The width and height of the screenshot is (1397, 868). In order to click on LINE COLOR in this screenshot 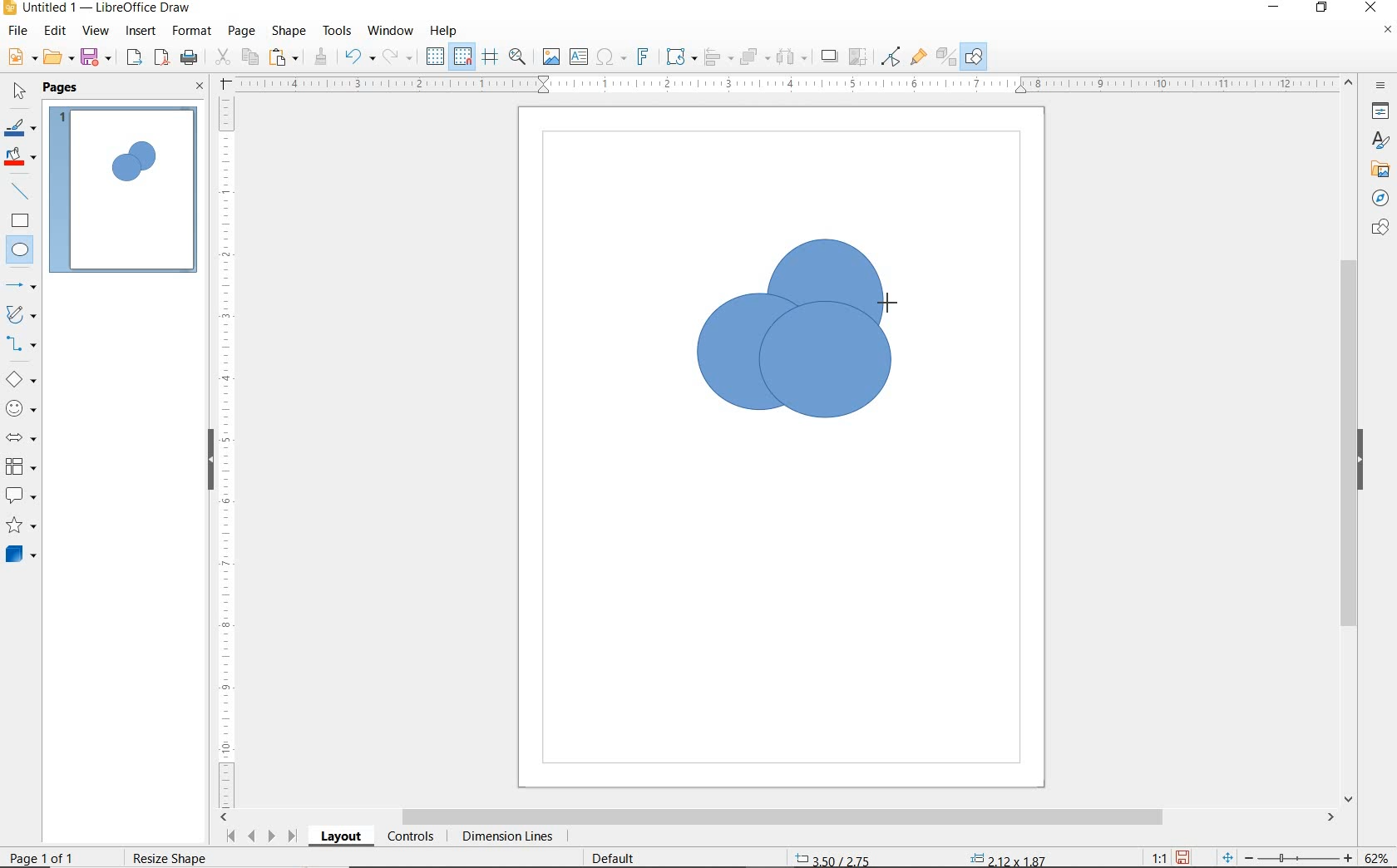, I will do `click(20, 127)`.